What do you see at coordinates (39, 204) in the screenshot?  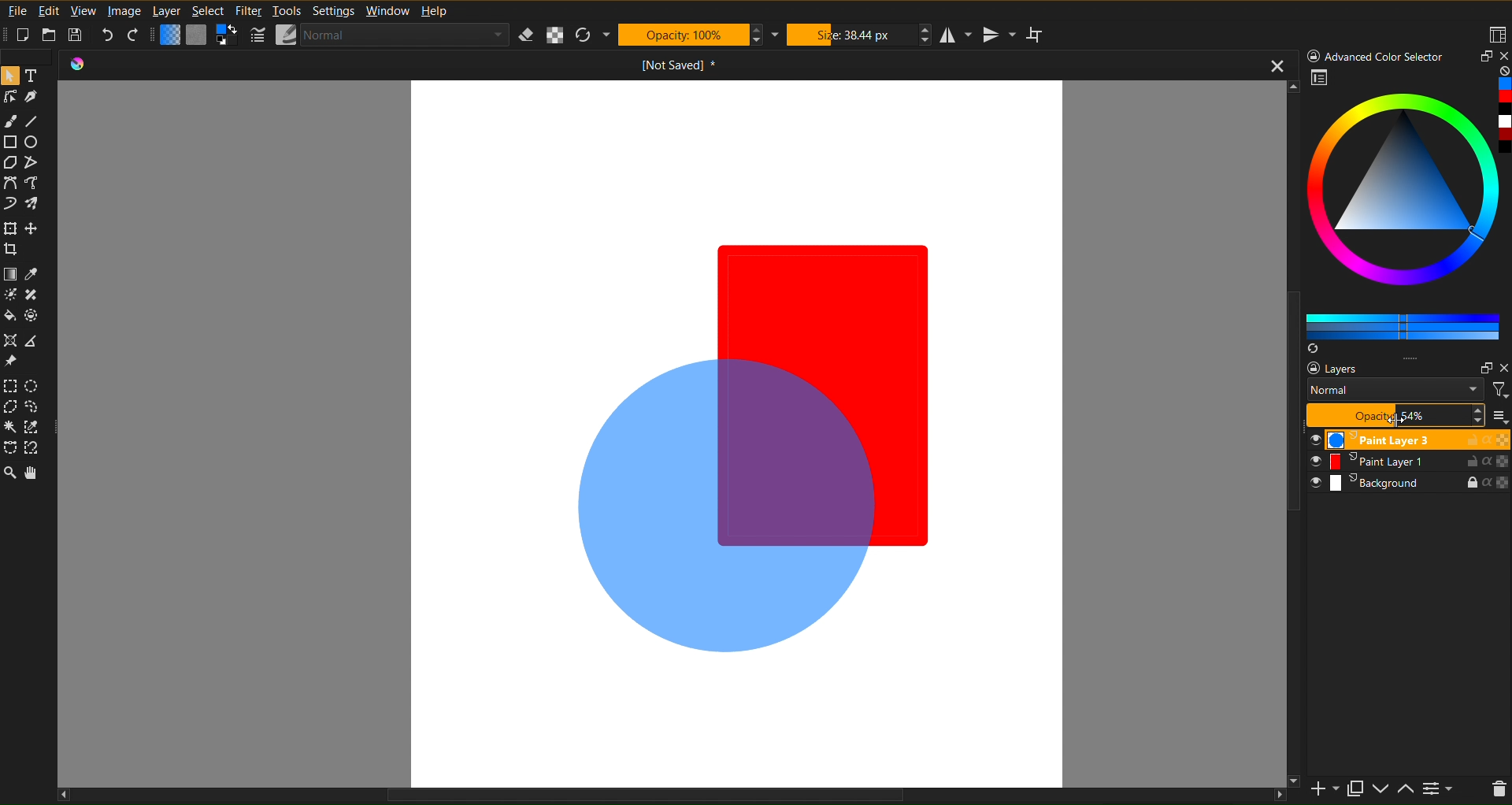 I see `Brush Tool` at bounding box center [39, 204].